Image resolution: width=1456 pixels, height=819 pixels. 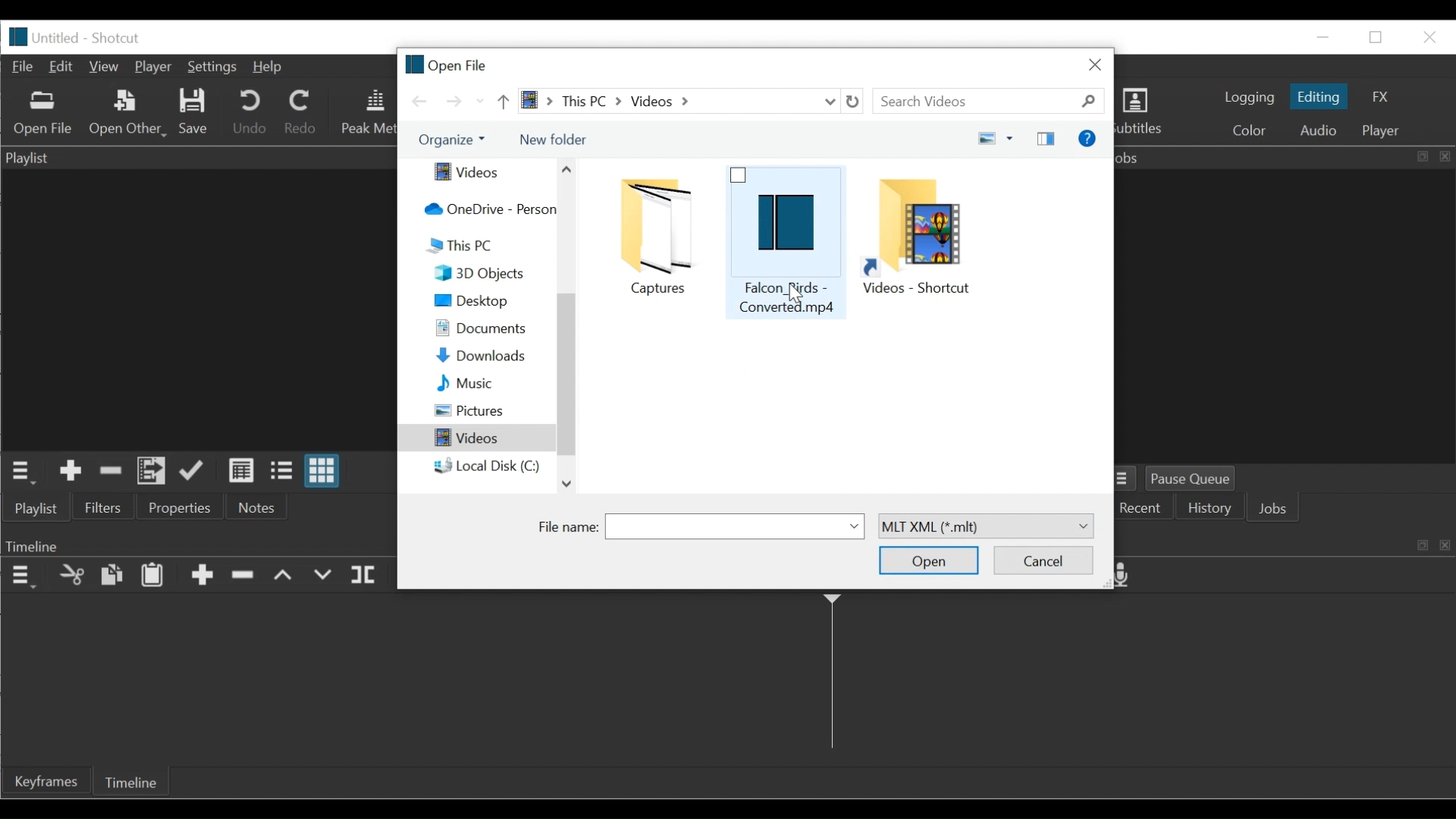 What do you see at coordinates (786, 245) in the screenshot?
I see `Falcon_birds - converted` at bounding box center [786, 245].